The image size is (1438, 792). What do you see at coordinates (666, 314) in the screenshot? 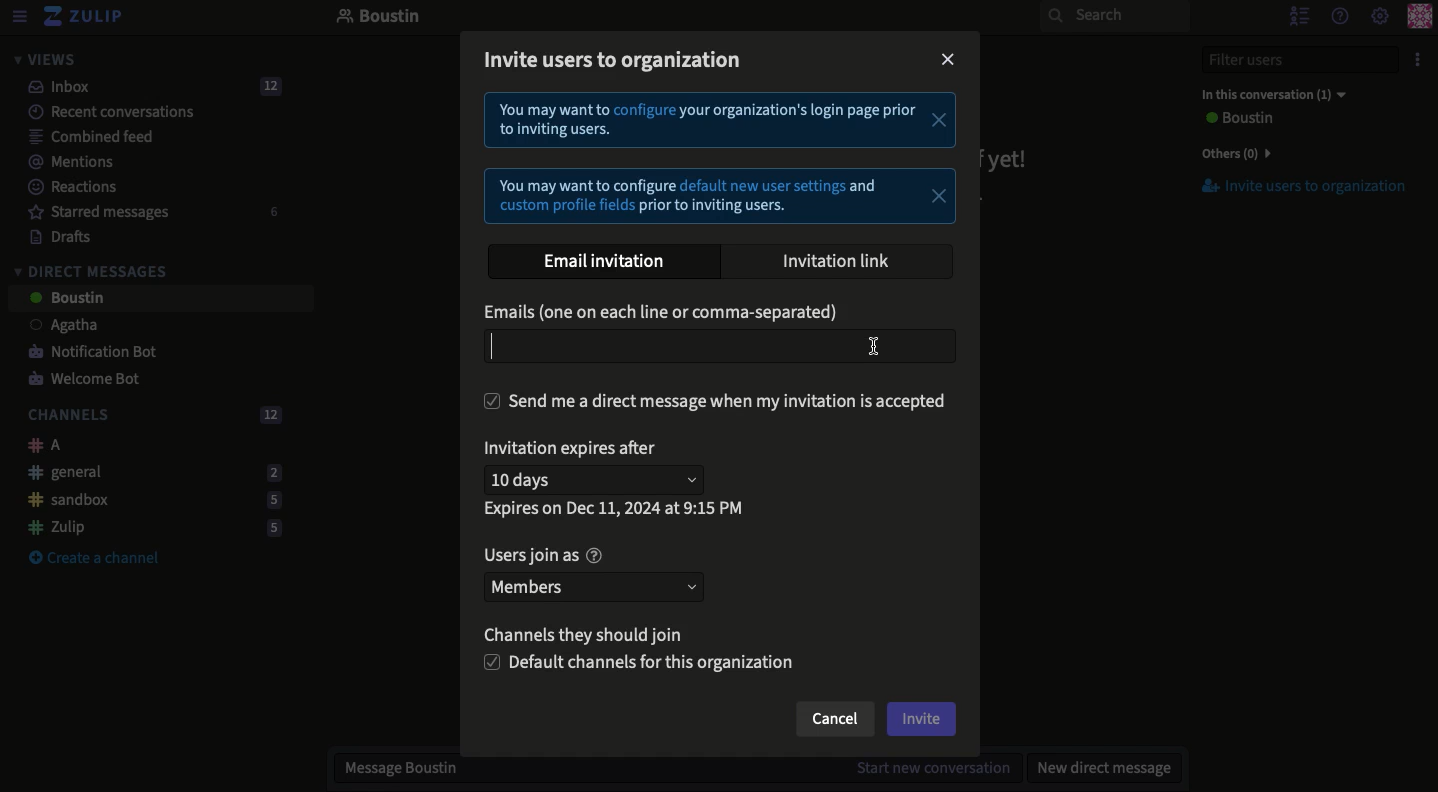
I see `Email ` at bounding box center [666, 314].